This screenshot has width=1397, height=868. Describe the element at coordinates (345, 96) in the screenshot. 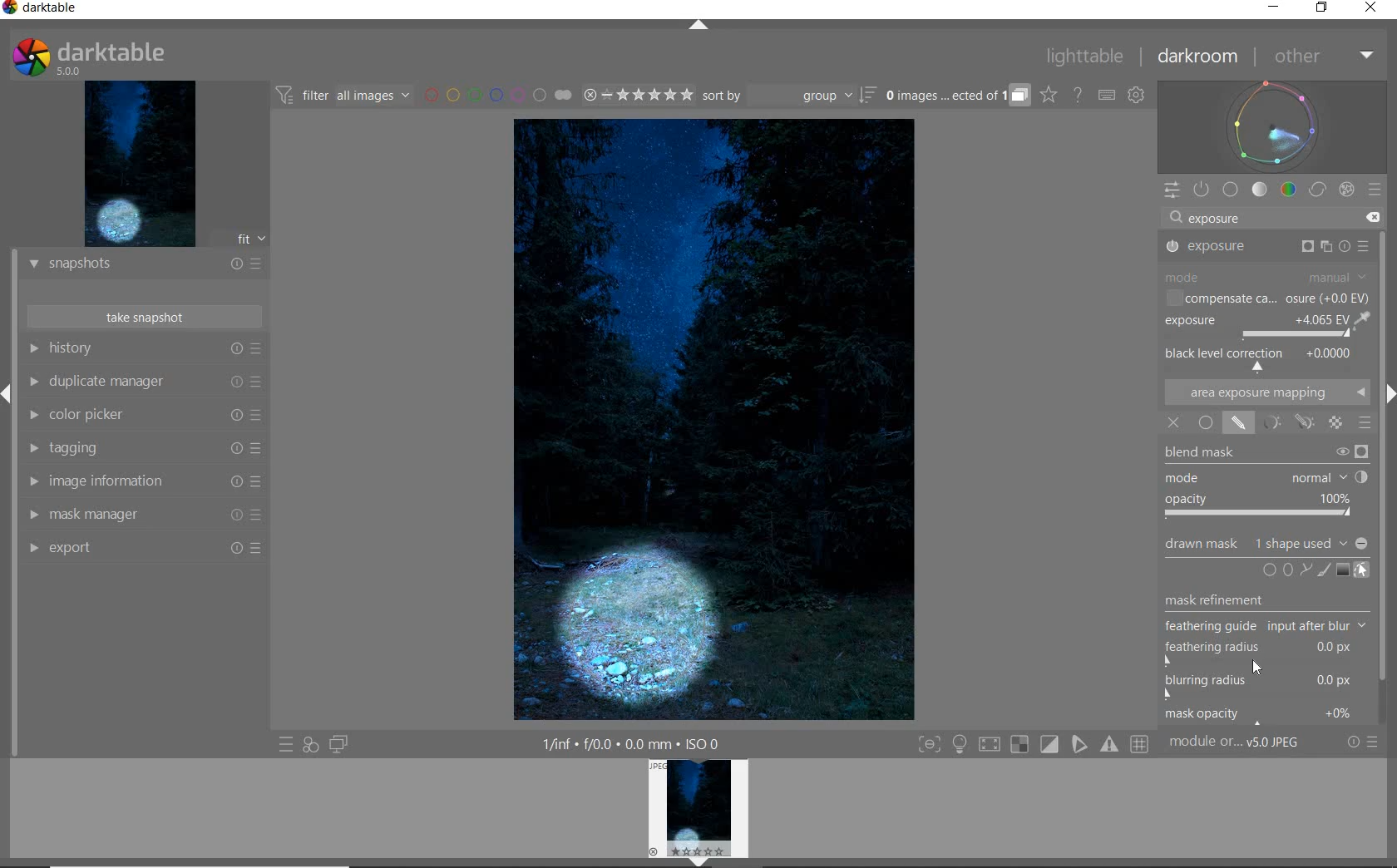

I see `FILTER IMAGES BASED ON THEIR MODULE ORDER` at that location.